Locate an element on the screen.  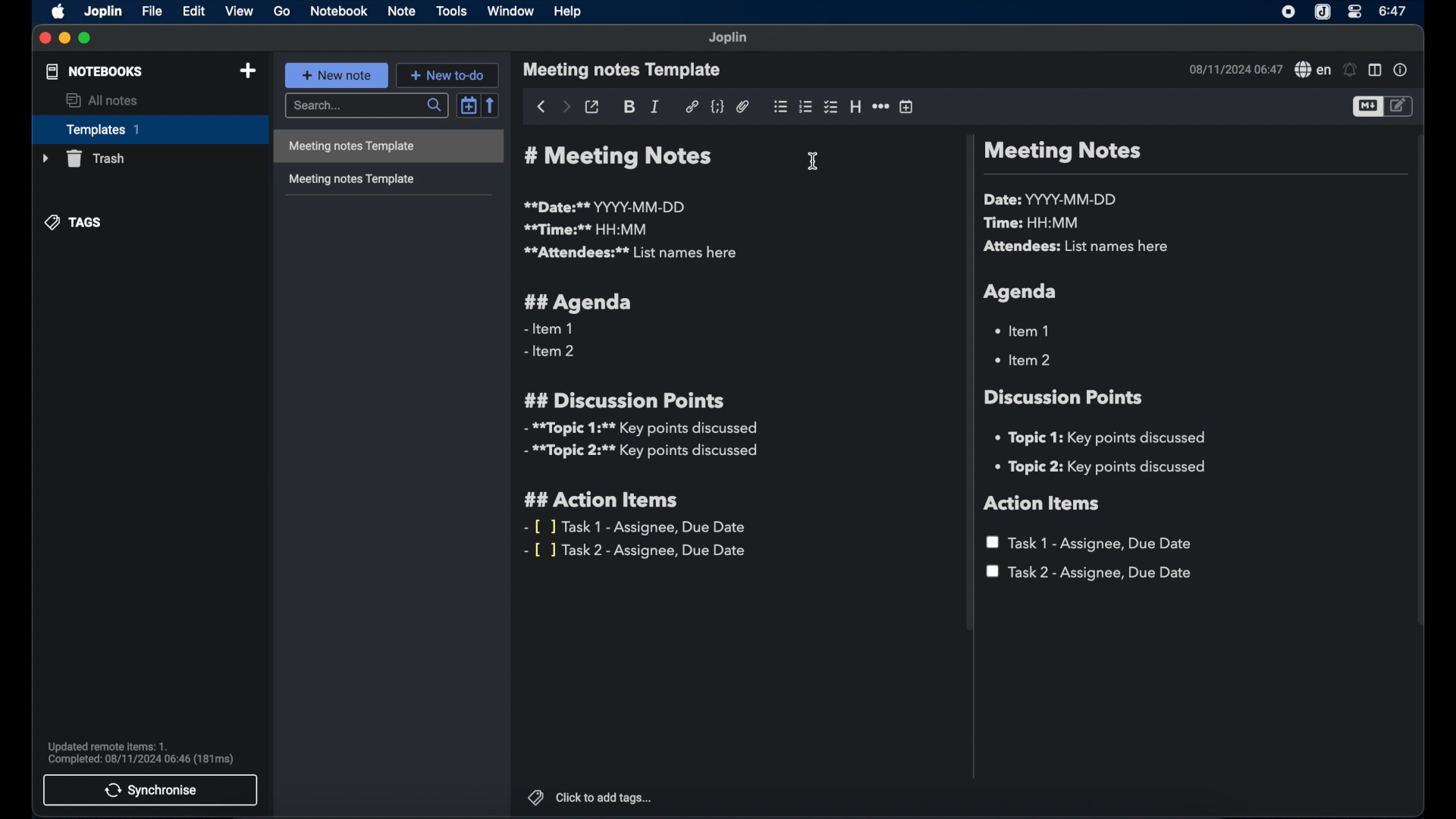
action items is located at coordinates (1043, 504).